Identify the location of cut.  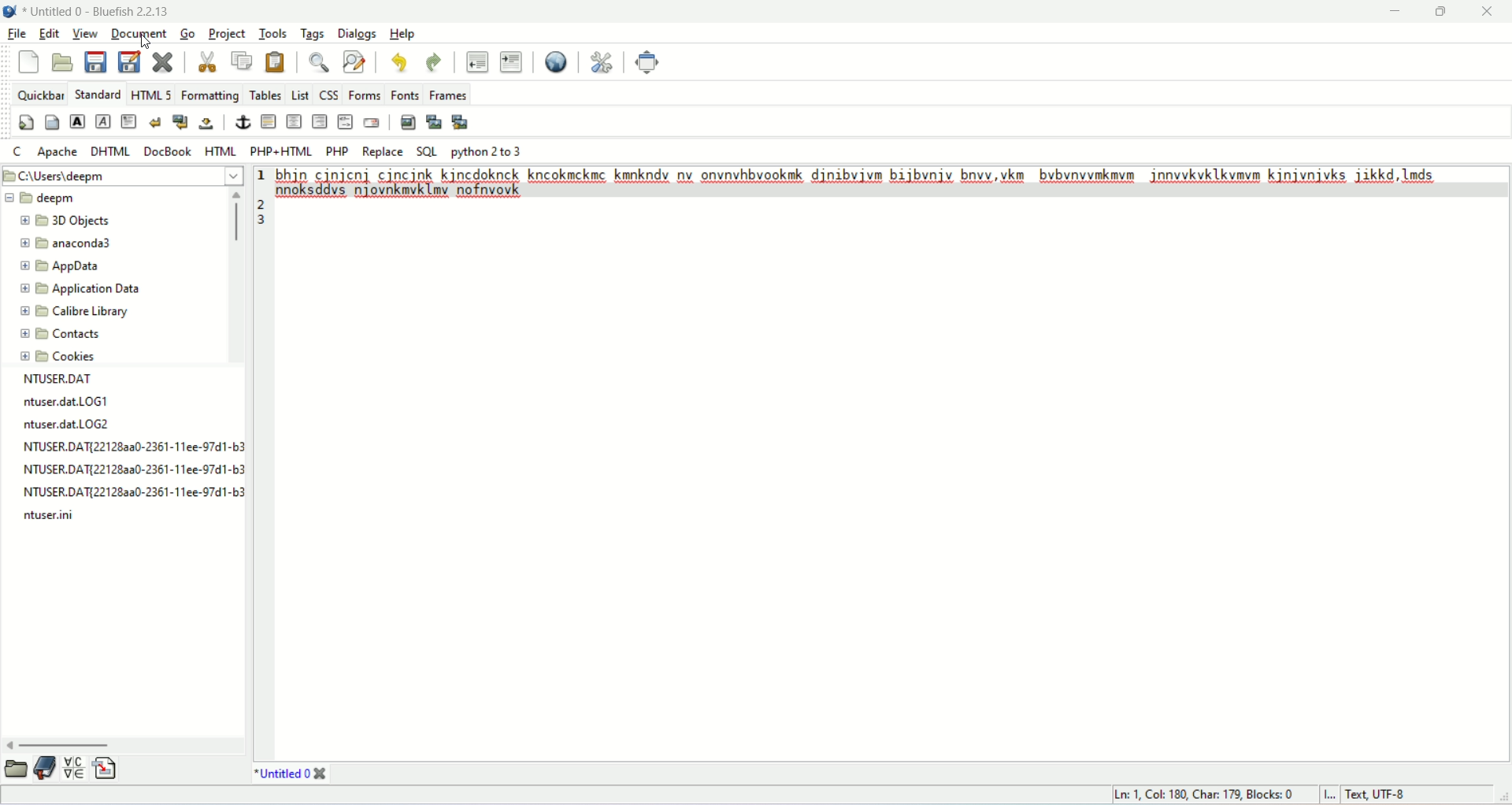
(207, 59).